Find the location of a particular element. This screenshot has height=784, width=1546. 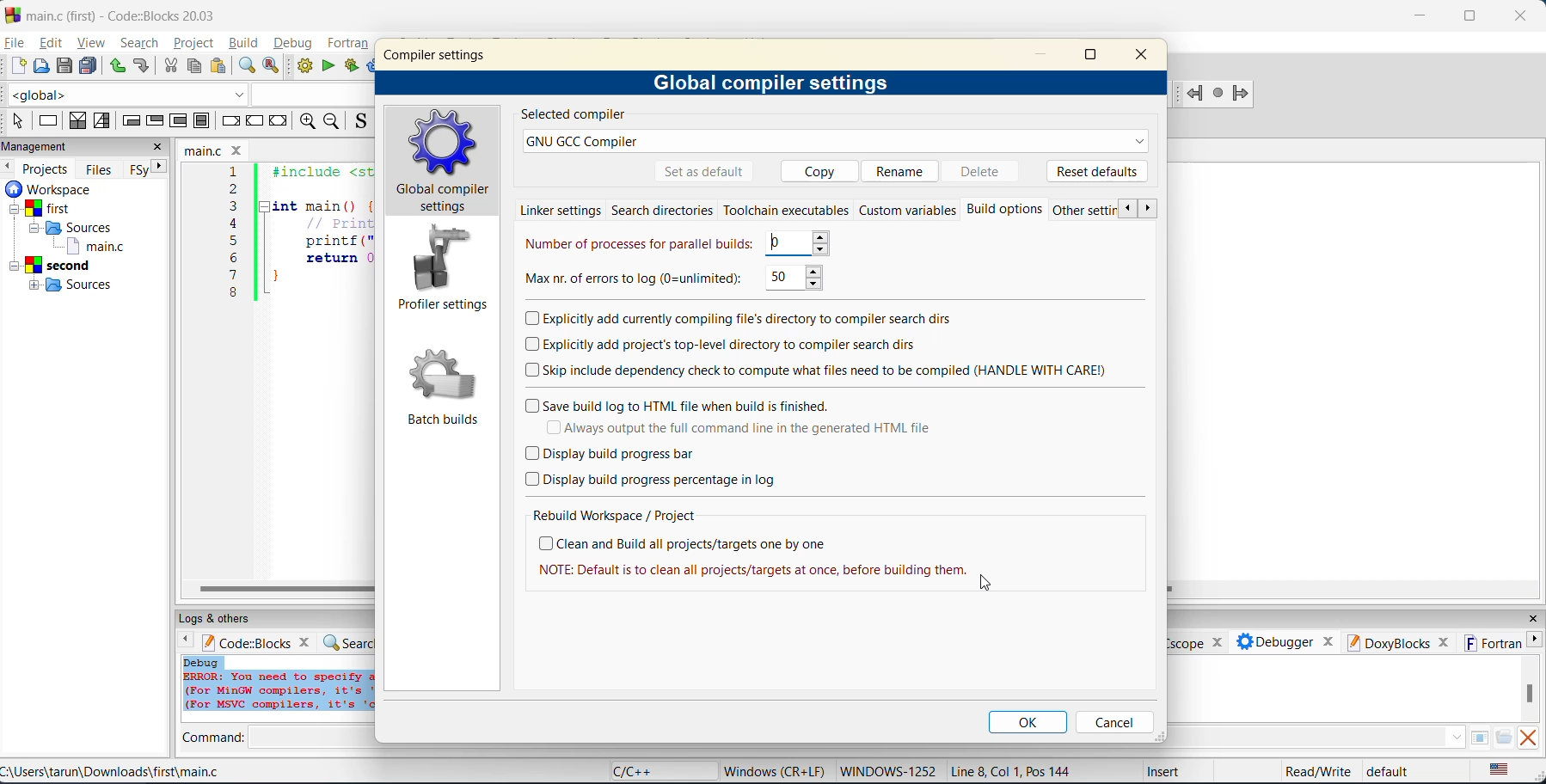

copy is located at coordinates (196, 67).